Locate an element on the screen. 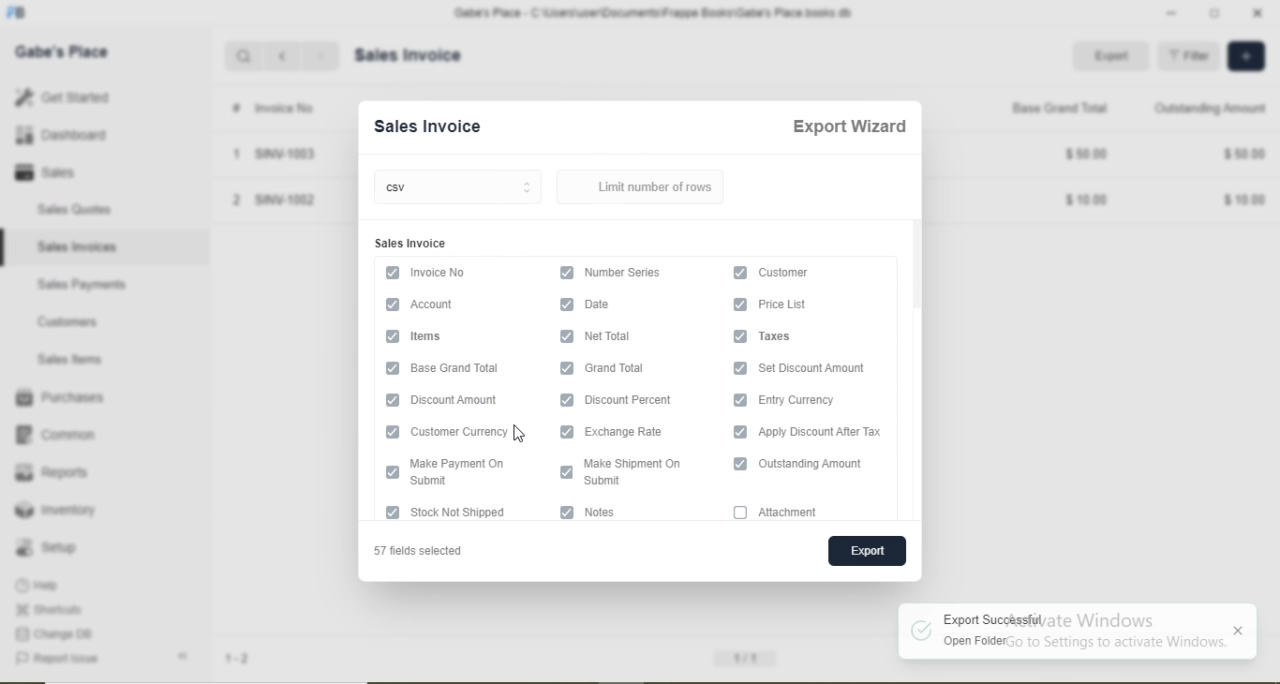 The height and width of the screenshot is (684, 1280). $1000 is located at coordinates (1088, 202).